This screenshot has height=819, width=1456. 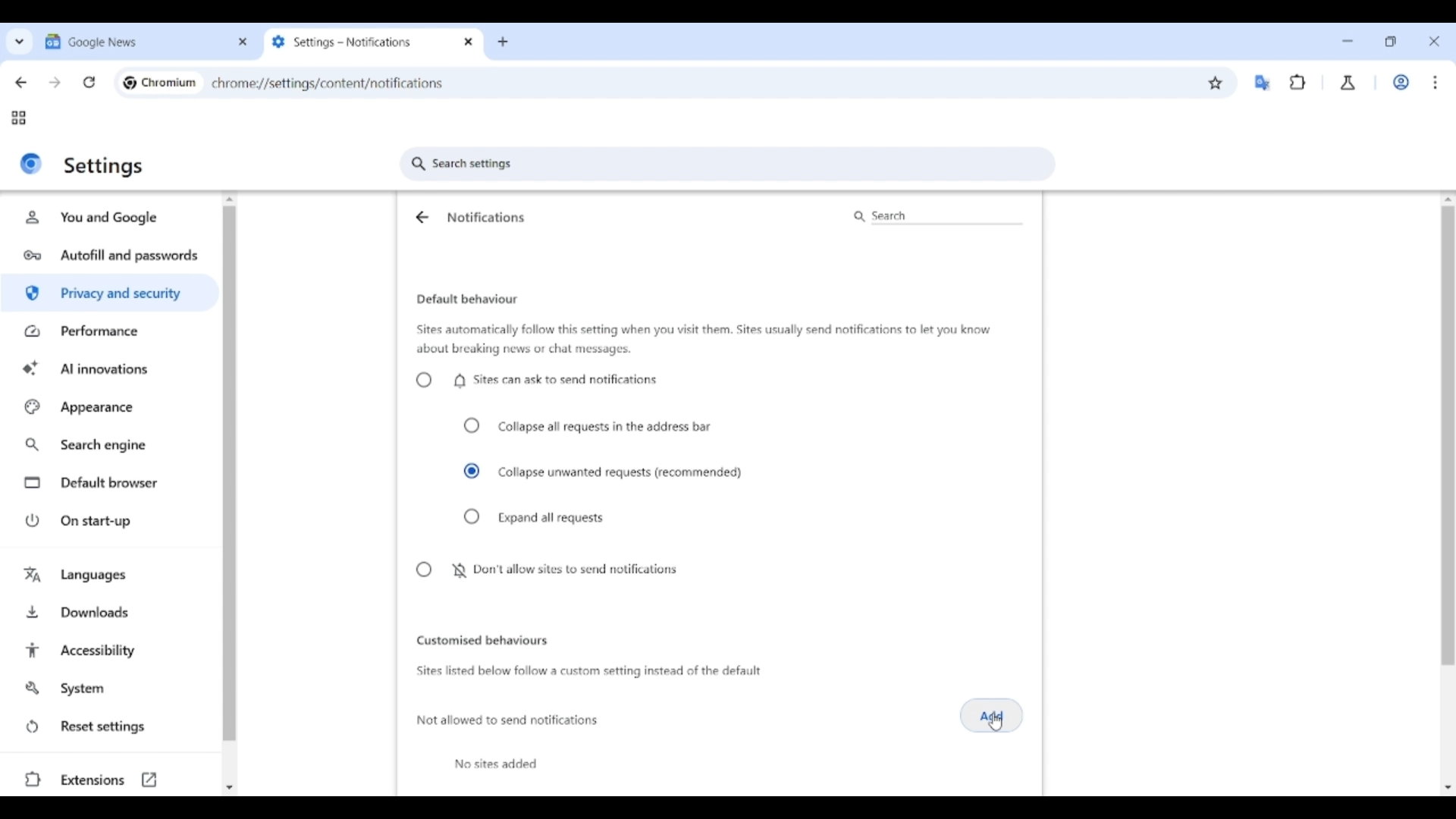 What do you see at coordinates (587, 672) in the screenshot?
I see `Sites listed below follow a custom setting instead of the default` at bounding box center [587, 672].